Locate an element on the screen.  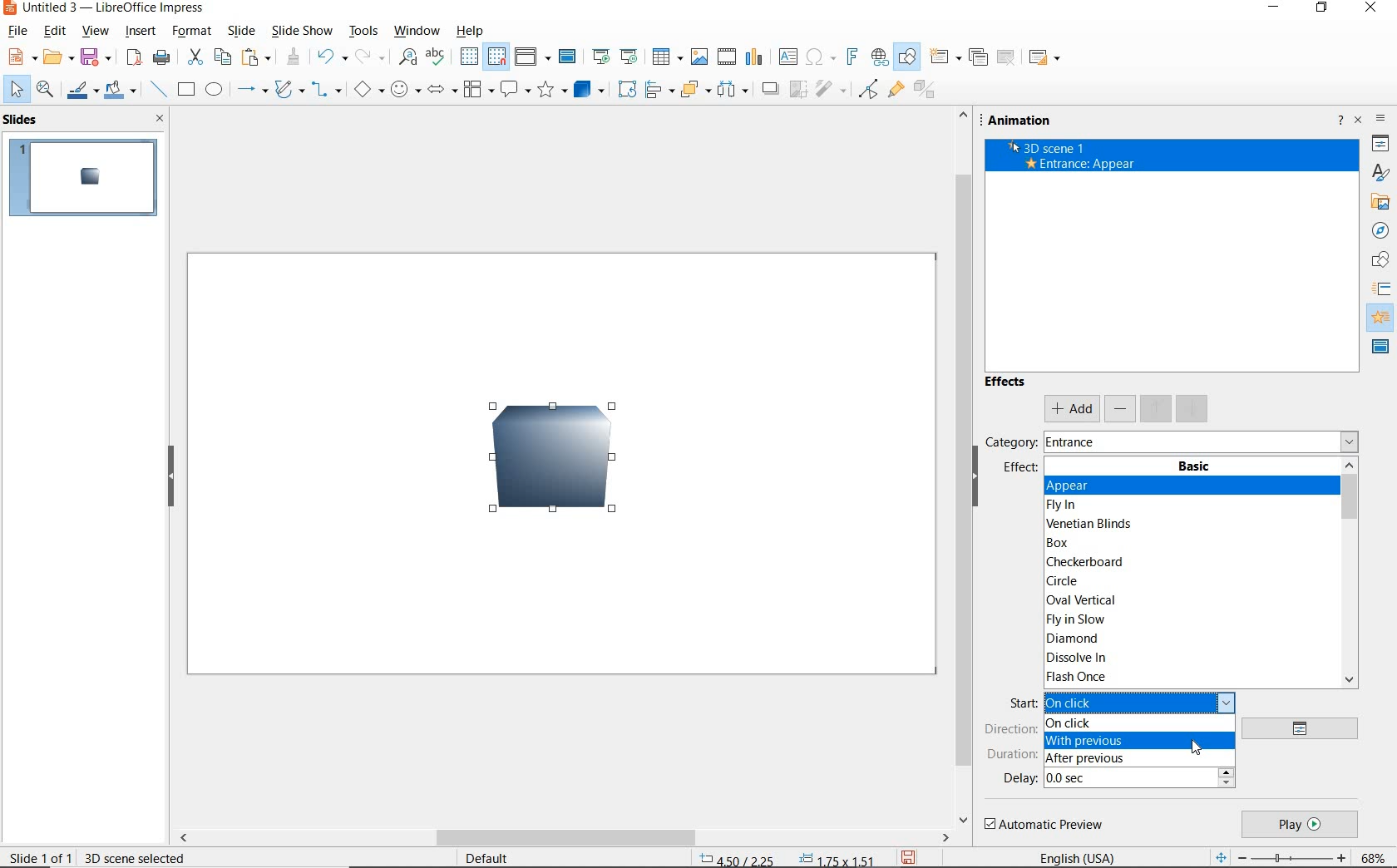
paste is located at coordinates (257, 56).